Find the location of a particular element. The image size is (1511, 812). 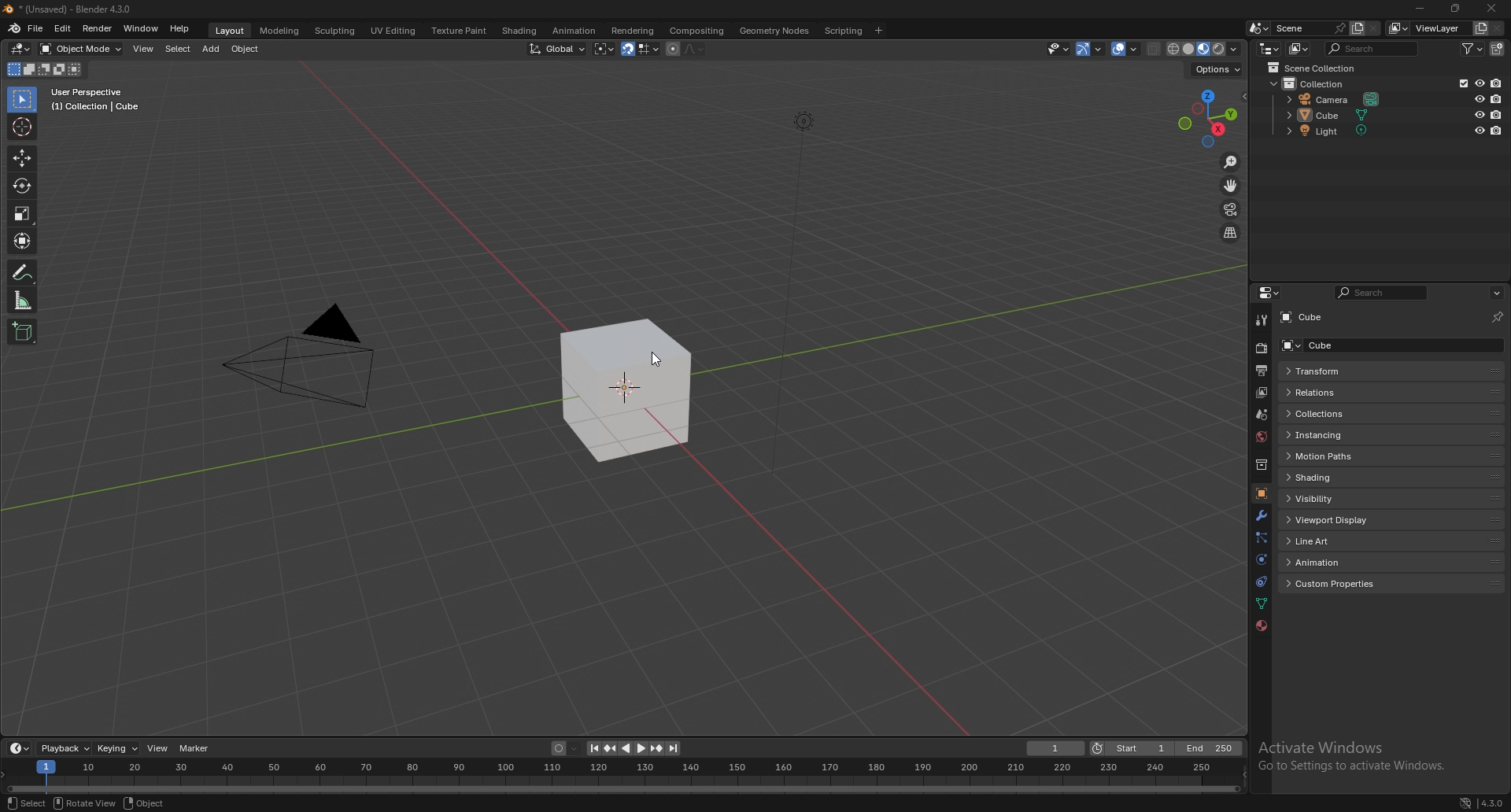

playback is located at coordinates (66, 748).